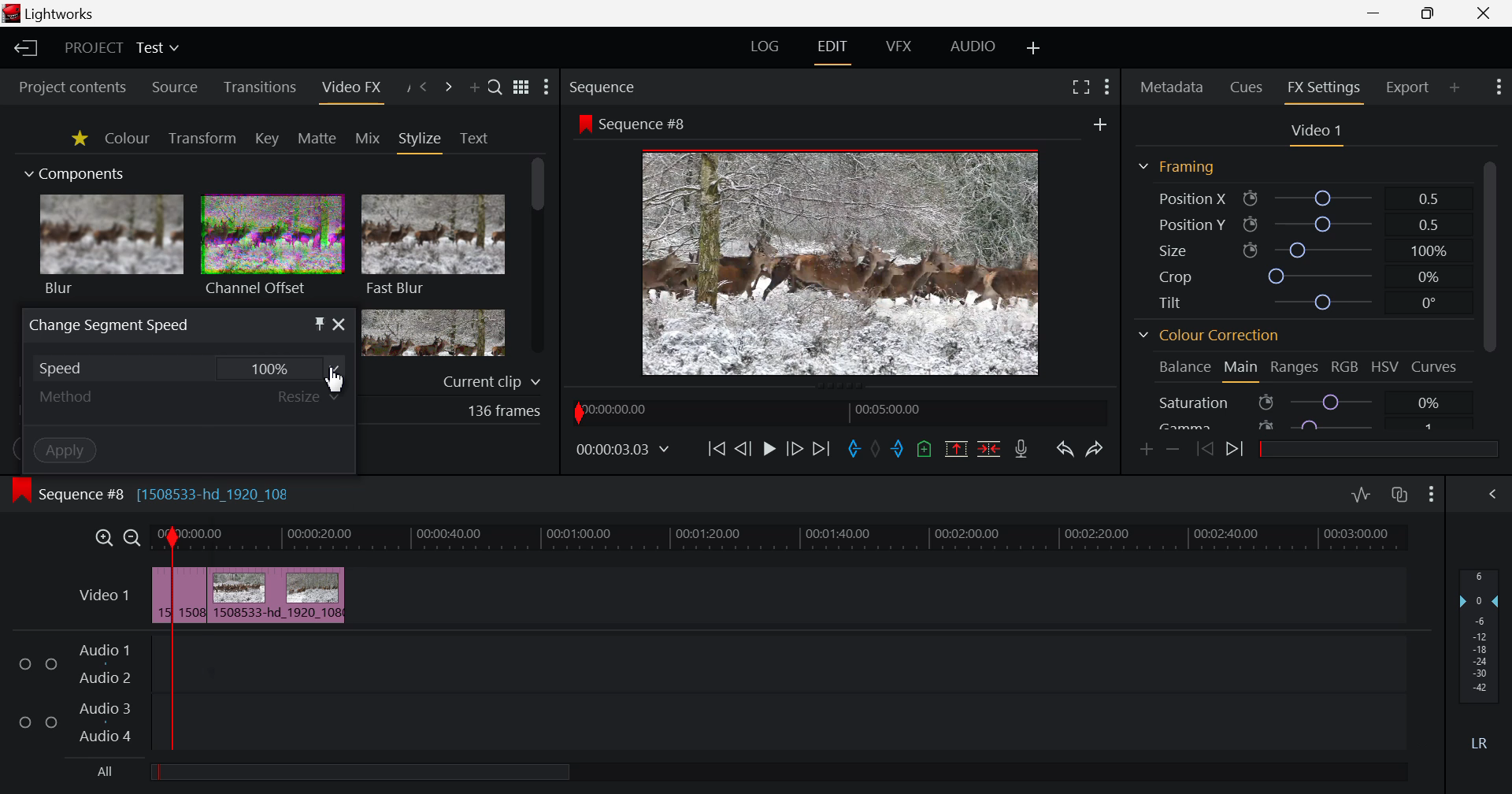 This screenshot has width=1512, height=794. Describe the element at coordinates (335, 381) in the screenshot. I see `cursor` at that location.